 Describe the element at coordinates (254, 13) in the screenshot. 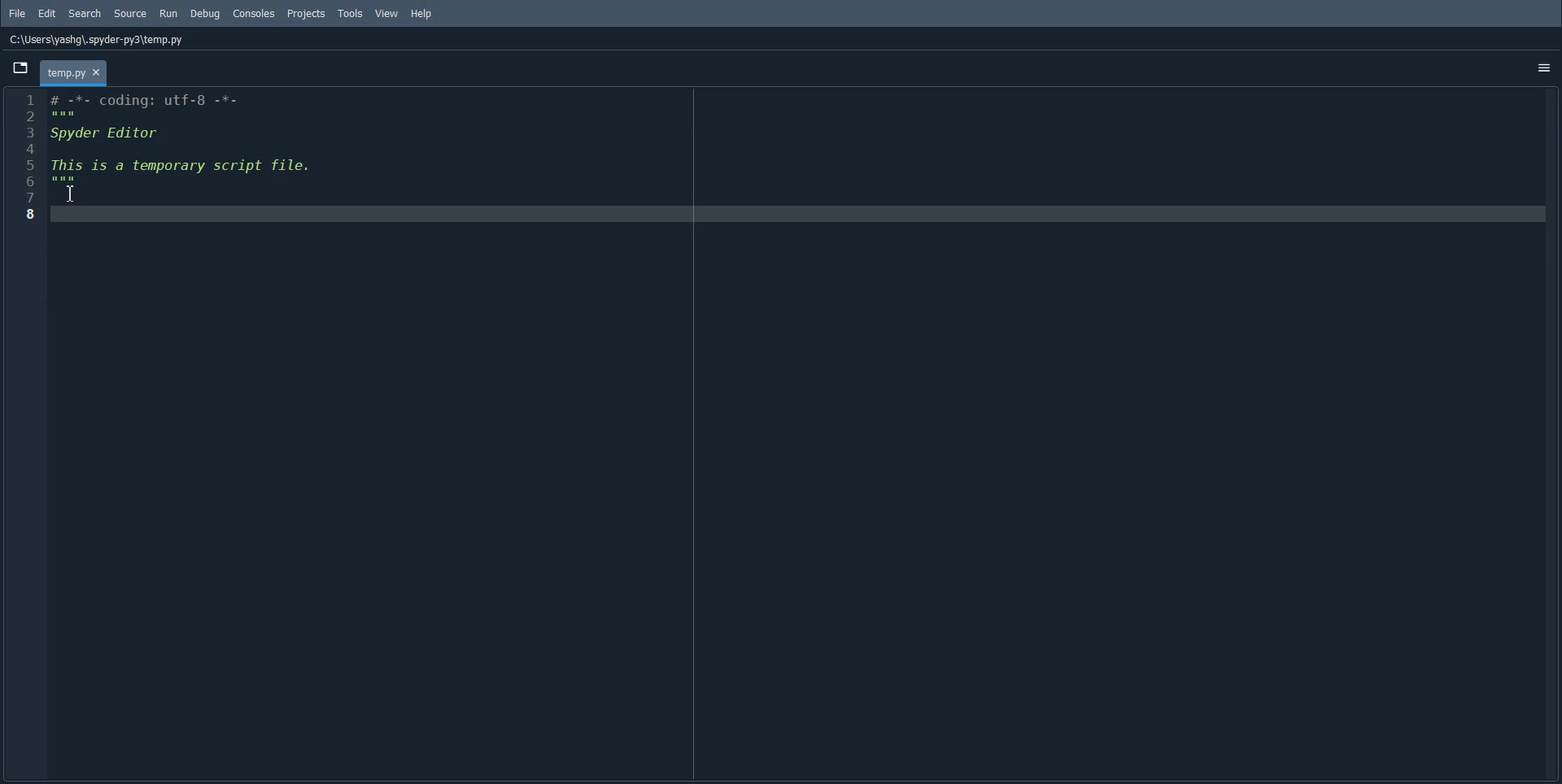

I see `Console` at that location.